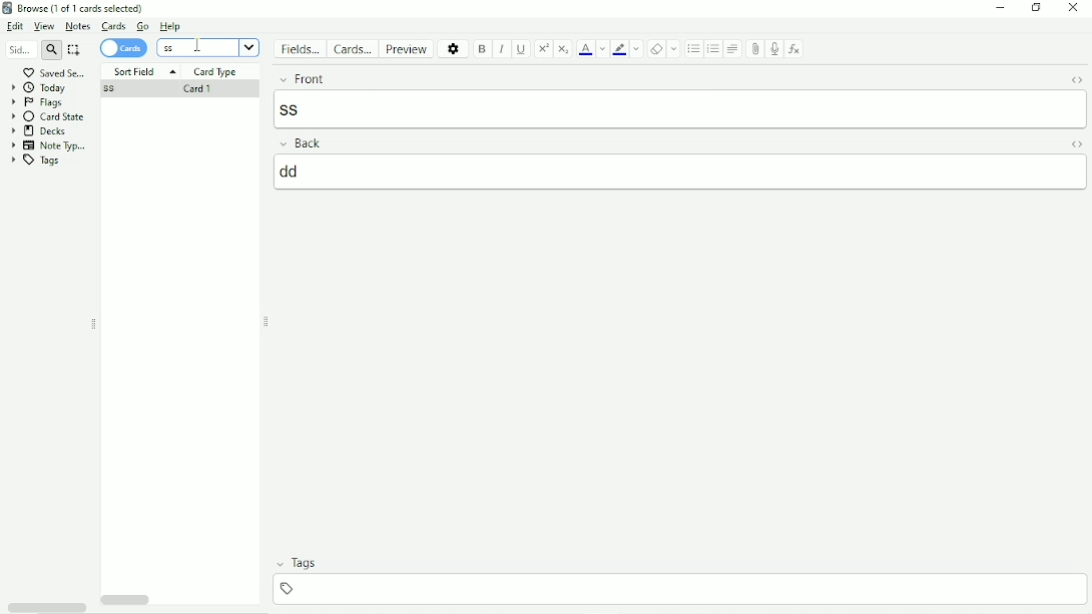  What do you see at coordinates (454, 48) in the screenshot?
I see `Options` at bounding box center [454, 48].